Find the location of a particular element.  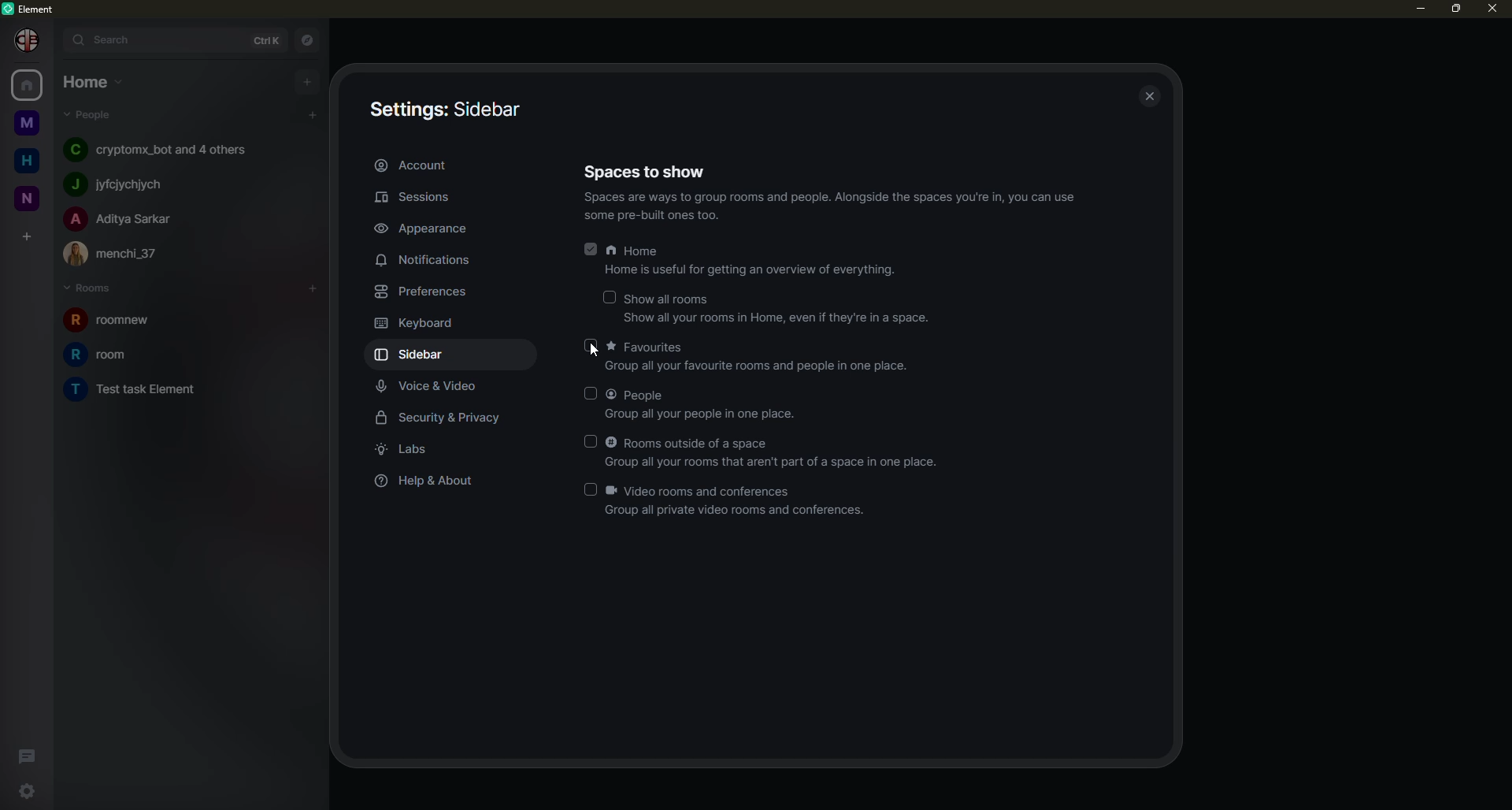

favorites is located at coordinates (762, 355).